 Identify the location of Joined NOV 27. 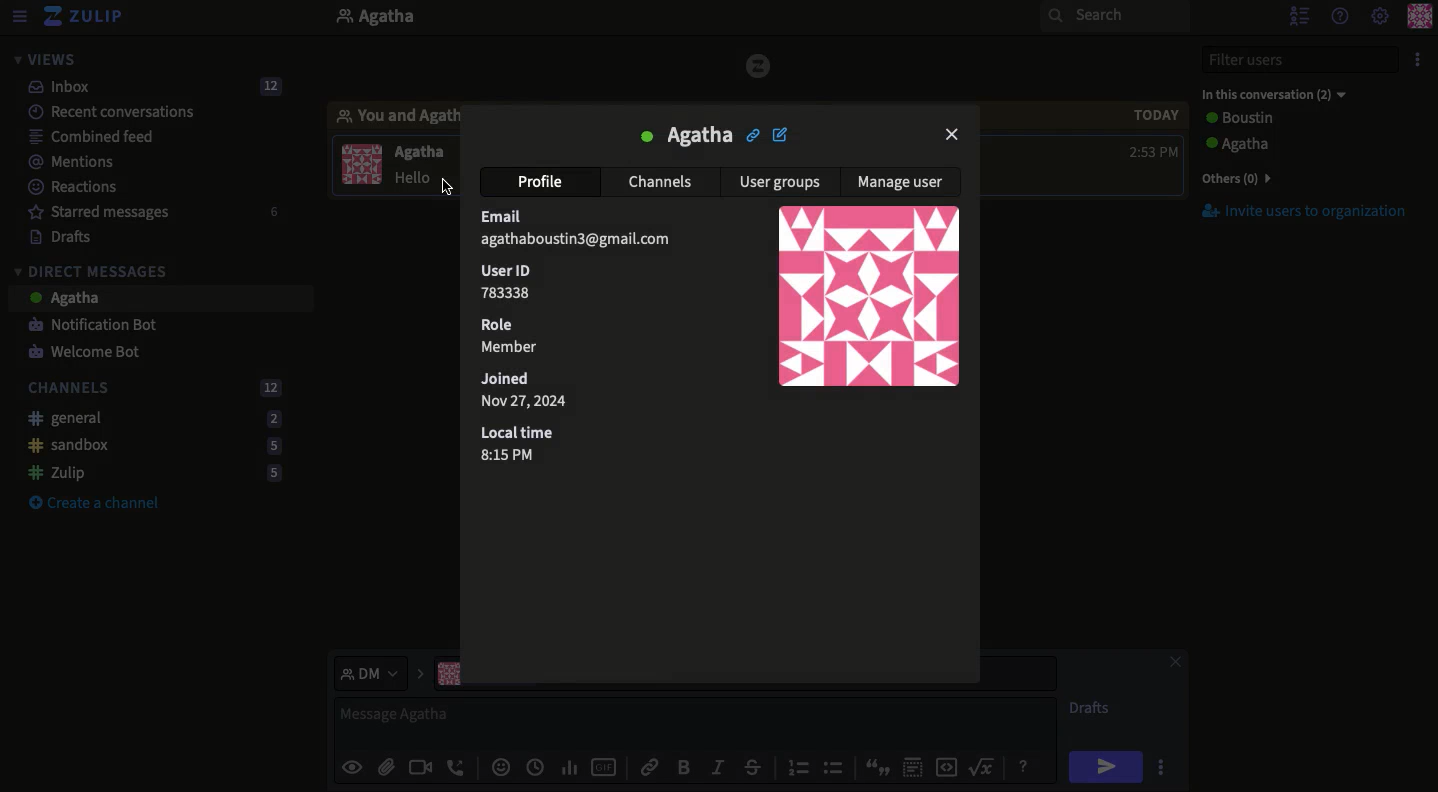
(536, 390).